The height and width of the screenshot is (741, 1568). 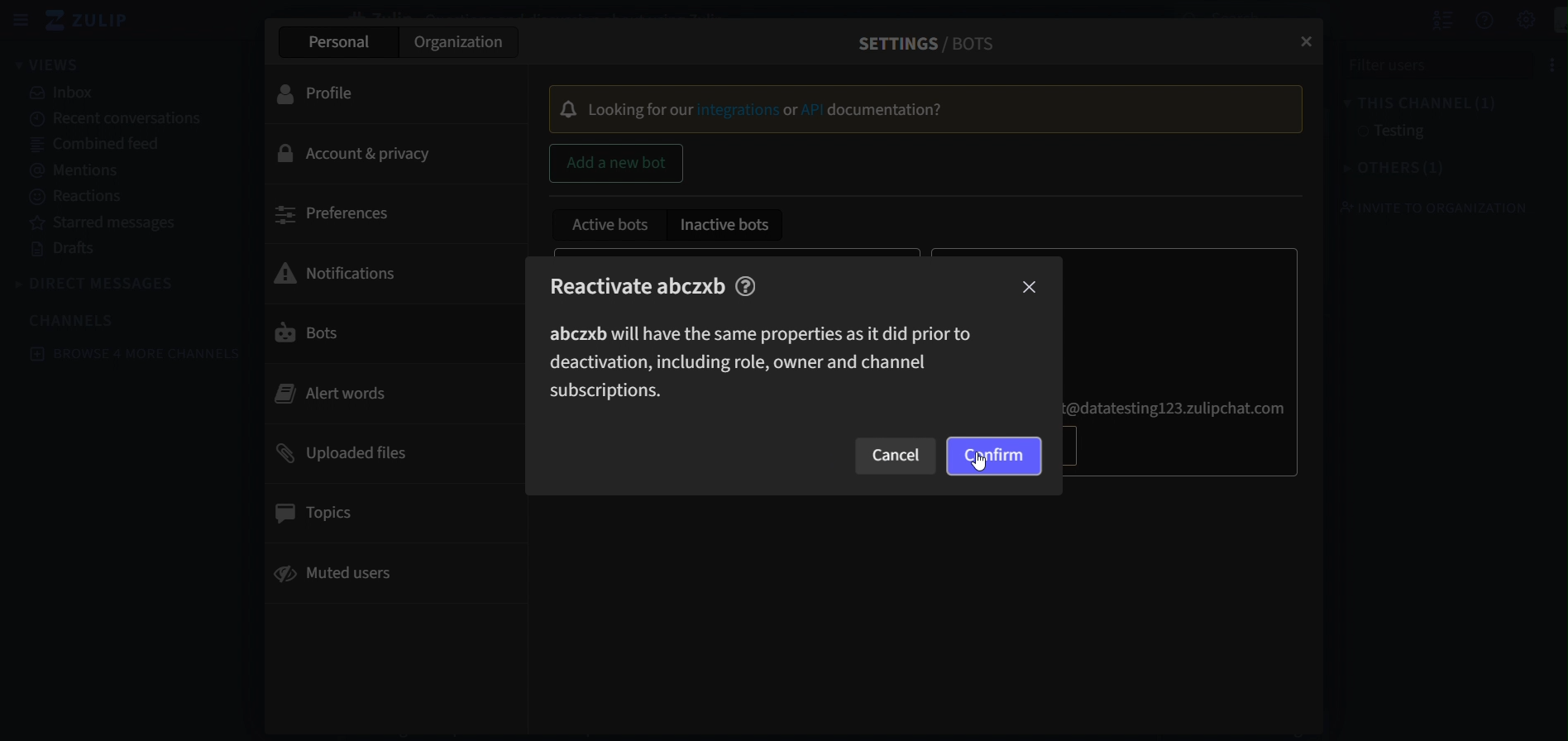 I want to click on abczxb will have the same properties as it did prior to deactivation,including role,owner and channel subscriptions., so click(x=768, y=371).